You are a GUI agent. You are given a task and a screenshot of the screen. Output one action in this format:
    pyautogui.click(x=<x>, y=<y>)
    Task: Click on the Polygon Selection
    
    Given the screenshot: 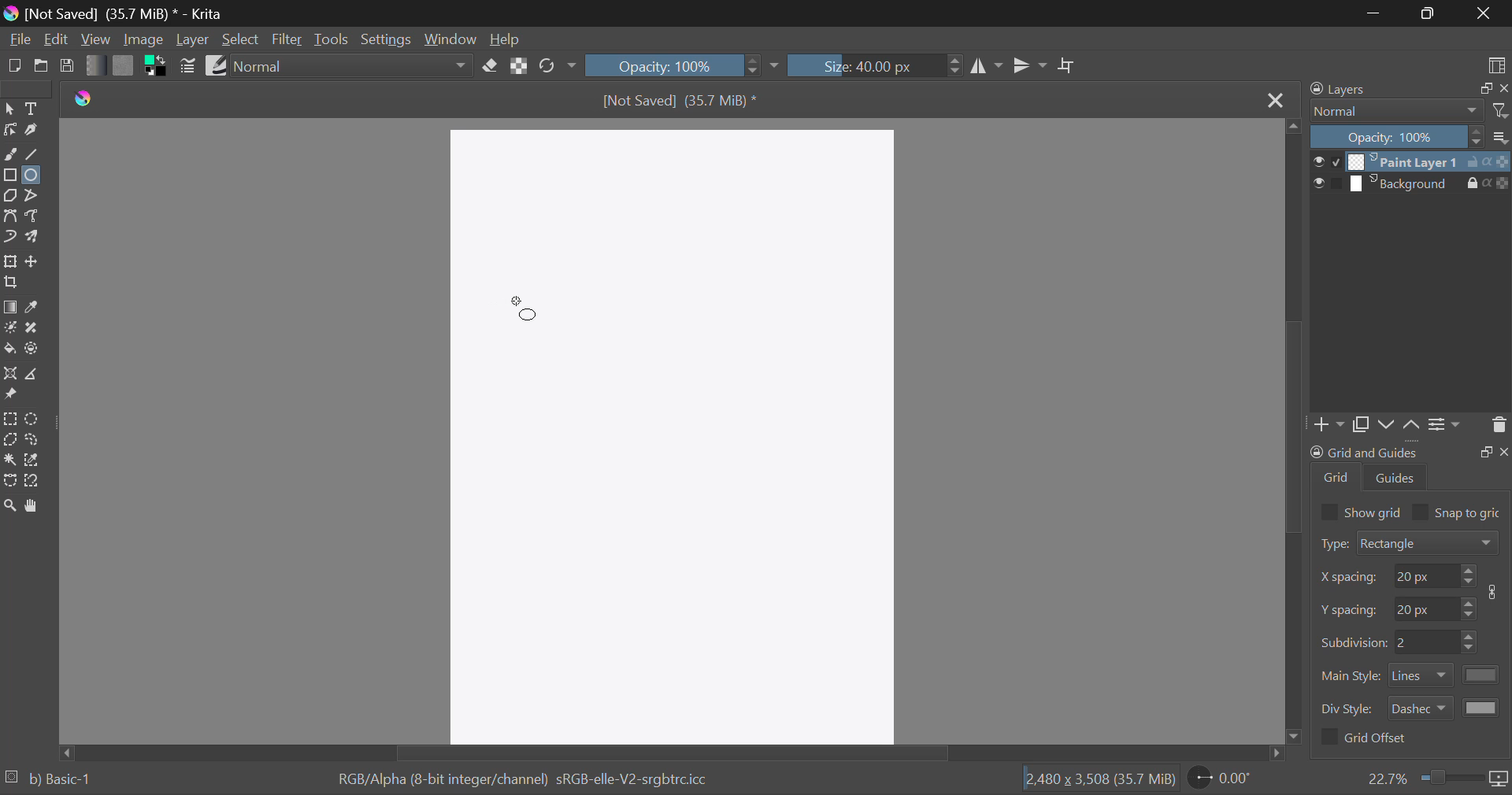 What is the action you would take?
    pyautogui.click(x=9, y=441)
    